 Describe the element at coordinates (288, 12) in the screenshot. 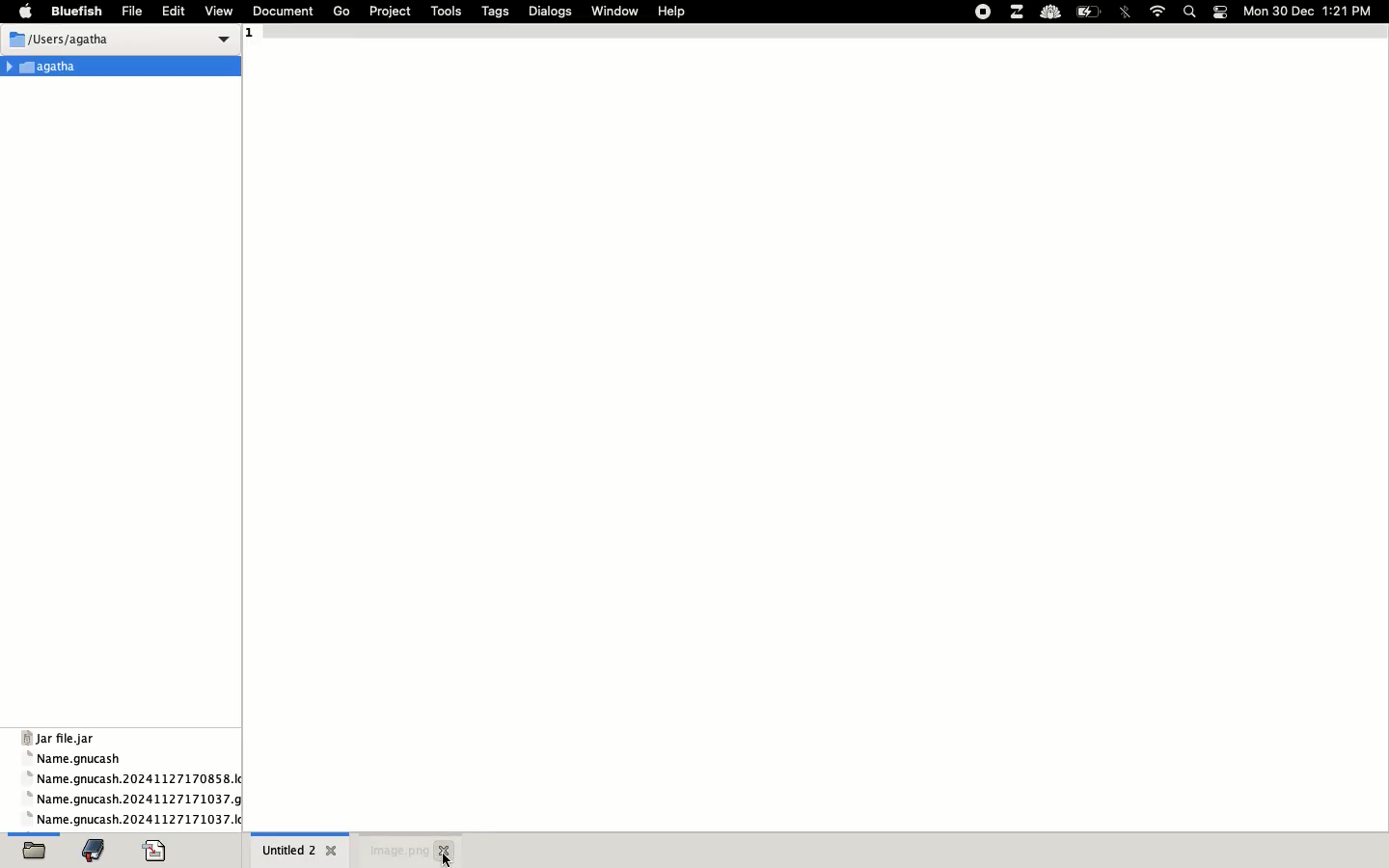

I see `document ` at that location.